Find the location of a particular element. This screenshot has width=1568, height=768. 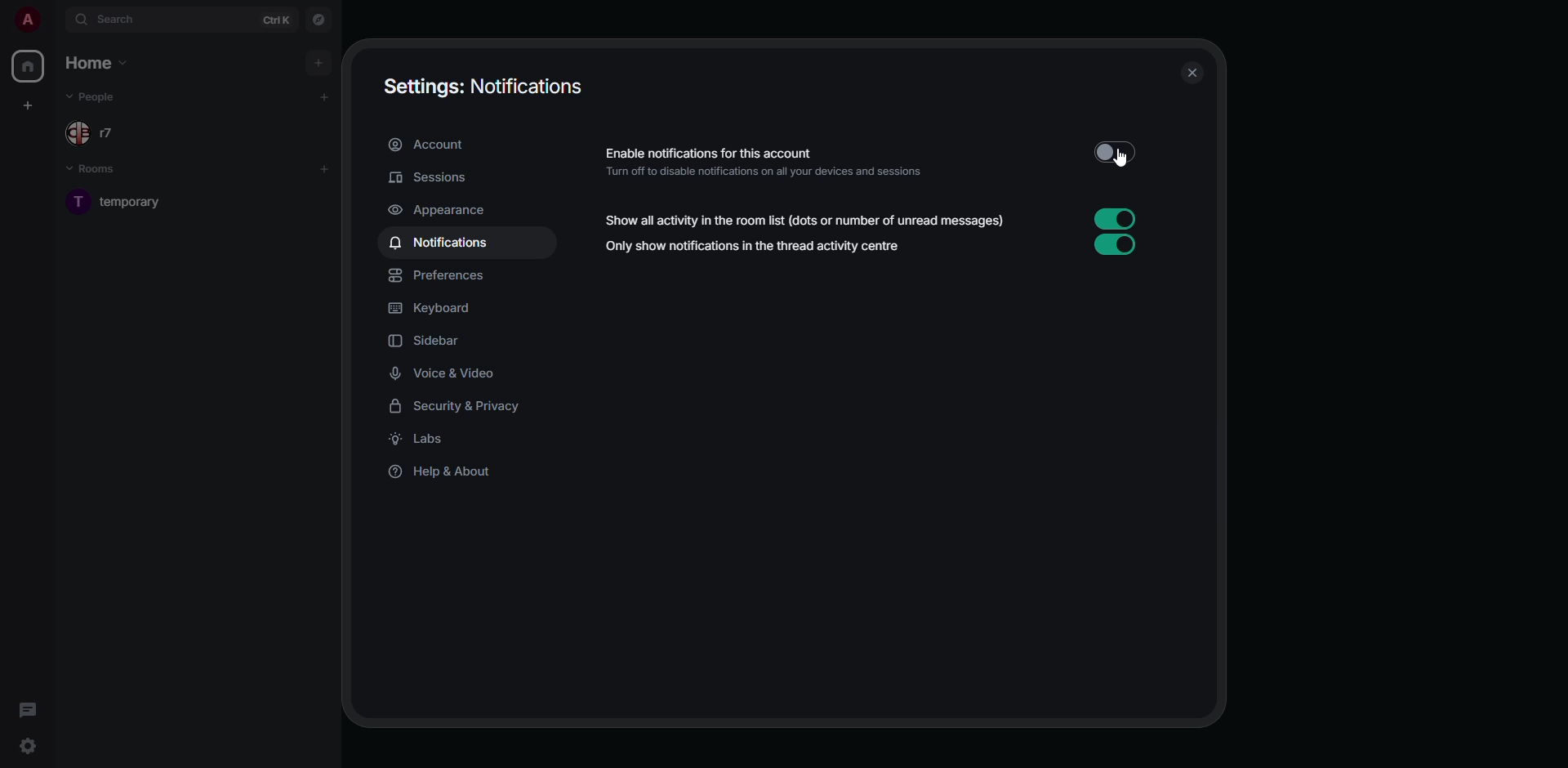

room is located at coordinates (137, 200).